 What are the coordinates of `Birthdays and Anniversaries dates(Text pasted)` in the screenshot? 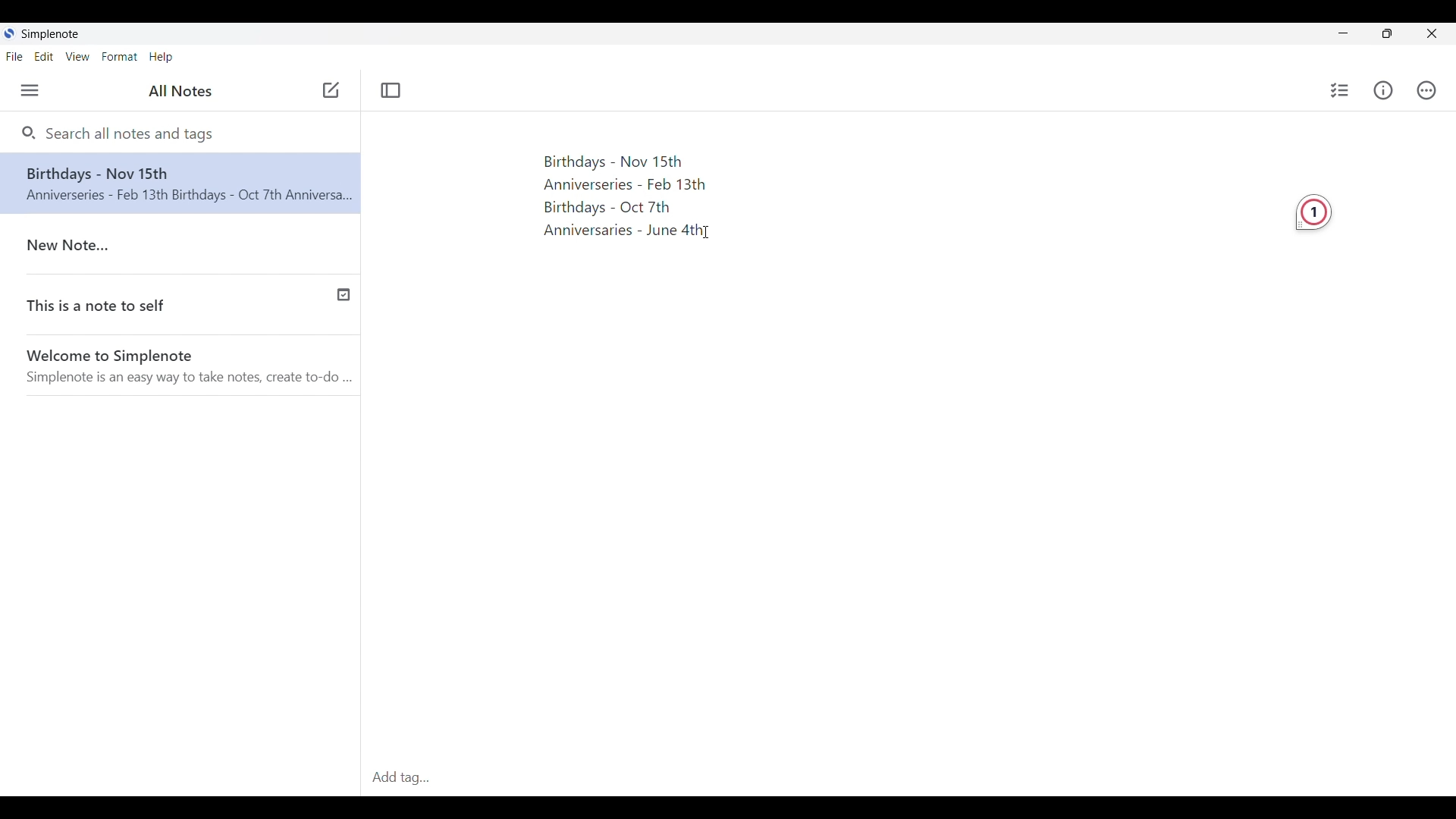 It's located at (620, 196).